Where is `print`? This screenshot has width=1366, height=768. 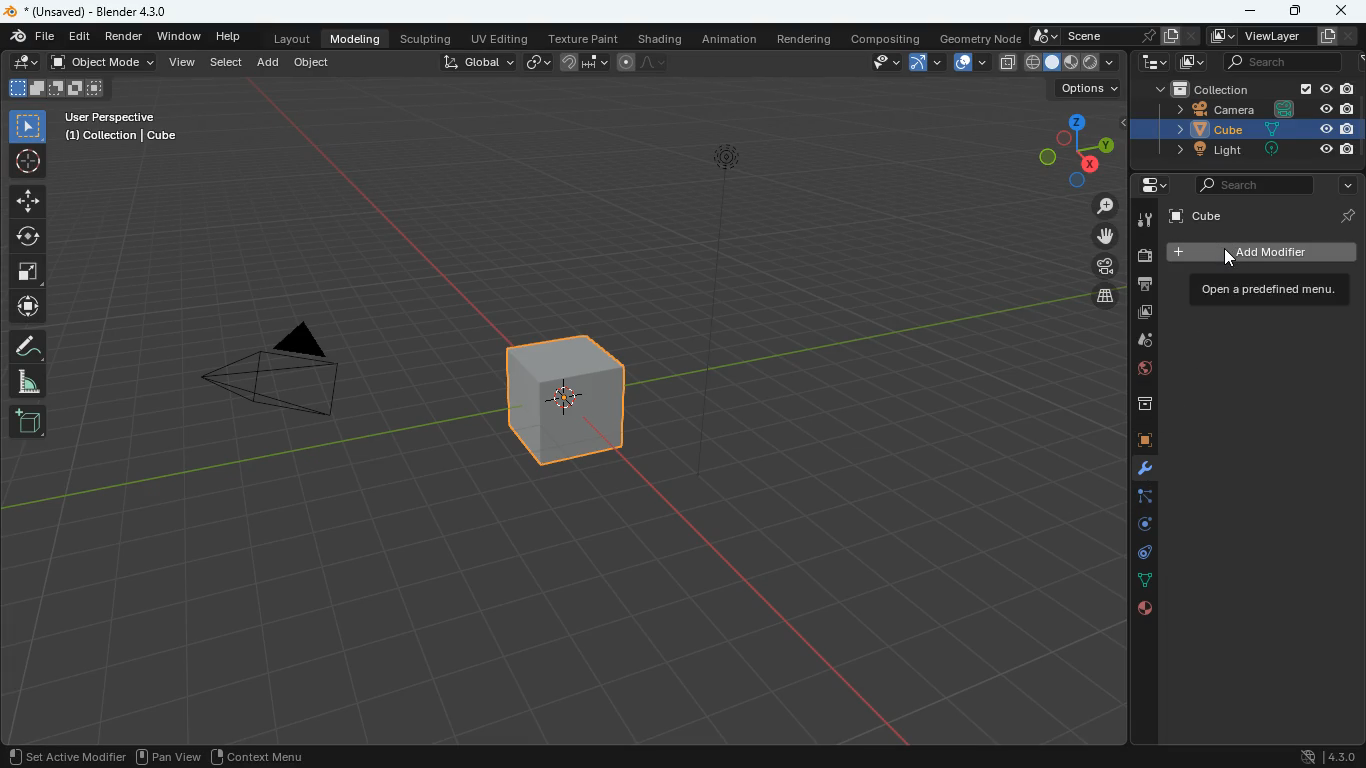 print is located at coordinates (1143, 286).